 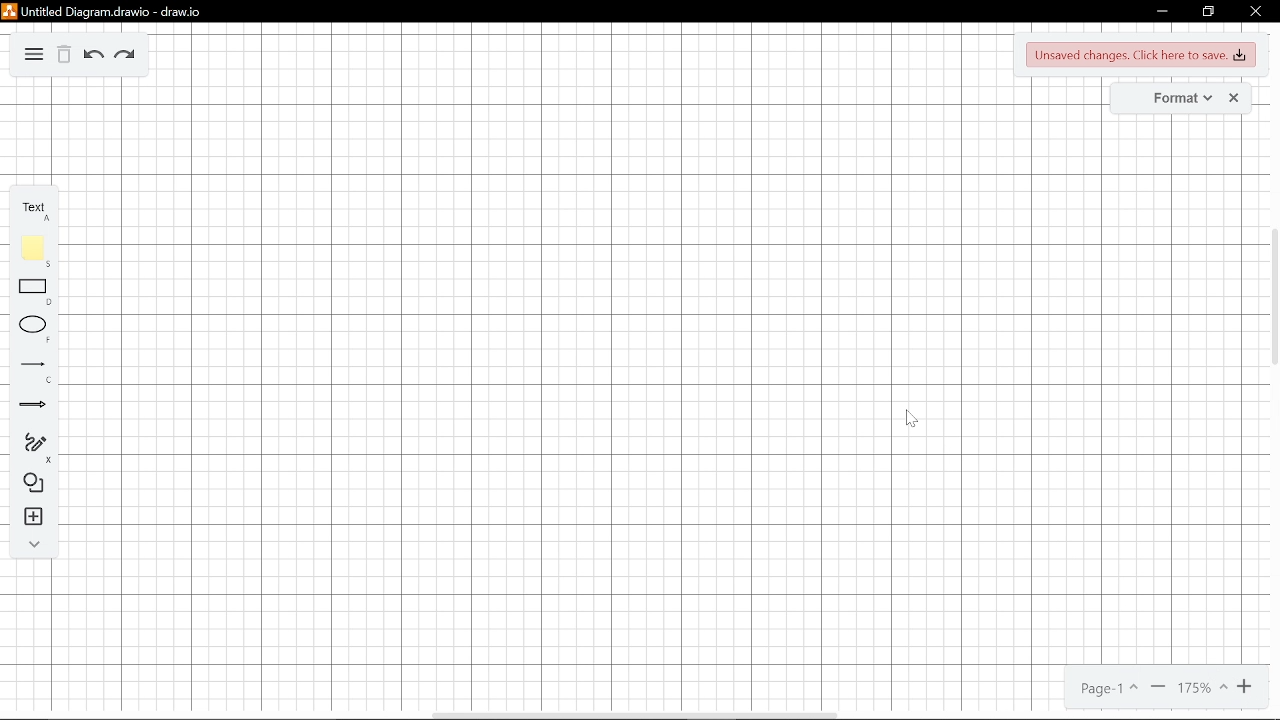 What do you see at coordinates (27, 330) in the screenshot?
I see `ellipse` at bounding box center [27, 330].